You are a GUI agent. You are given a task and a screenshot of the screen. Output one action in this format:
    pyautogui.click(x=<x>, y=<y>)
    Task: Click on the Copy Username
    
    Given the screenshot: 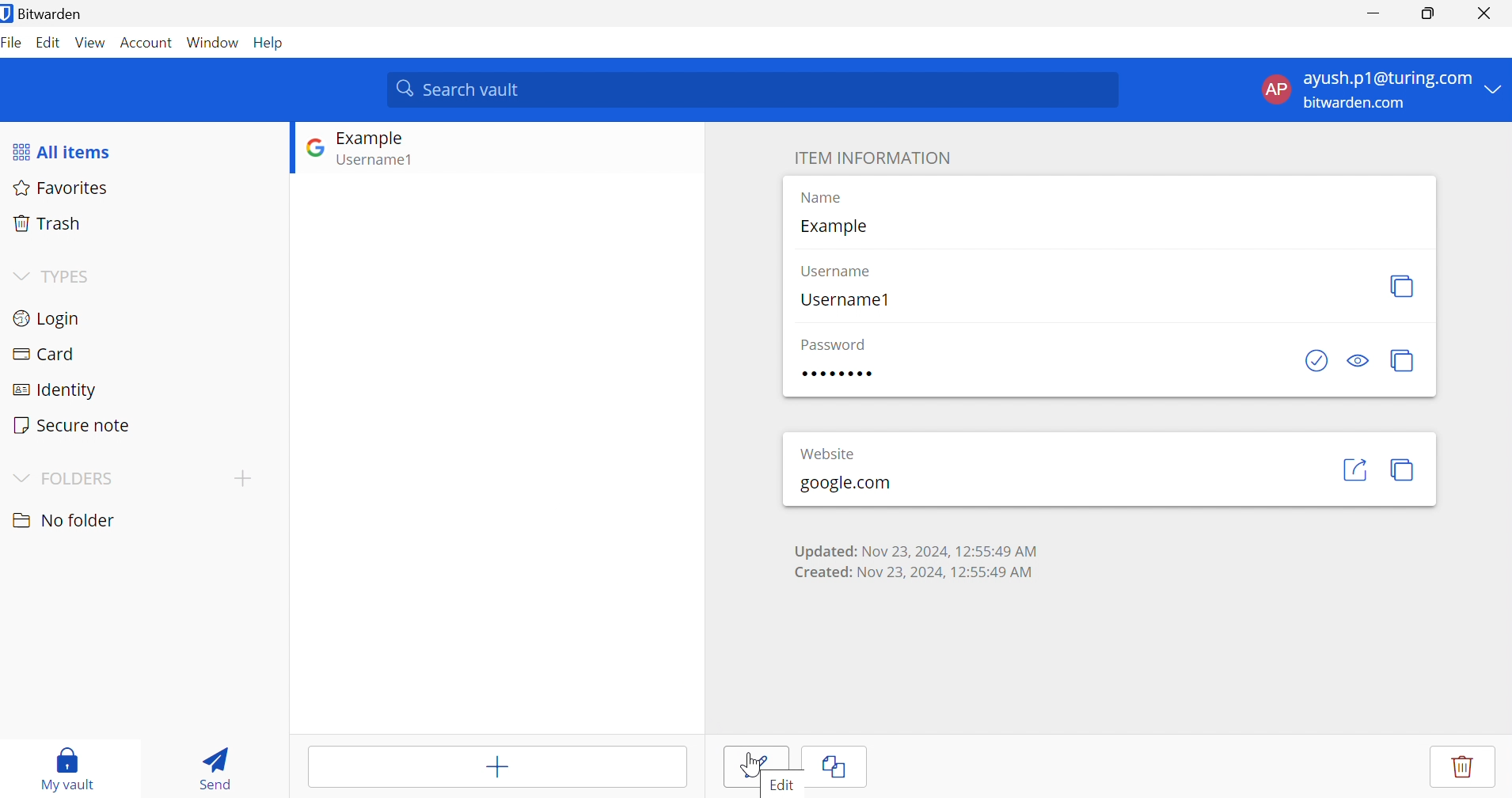 What is the action you would take?
    pyautogui.click(x=1403, y=284)
    